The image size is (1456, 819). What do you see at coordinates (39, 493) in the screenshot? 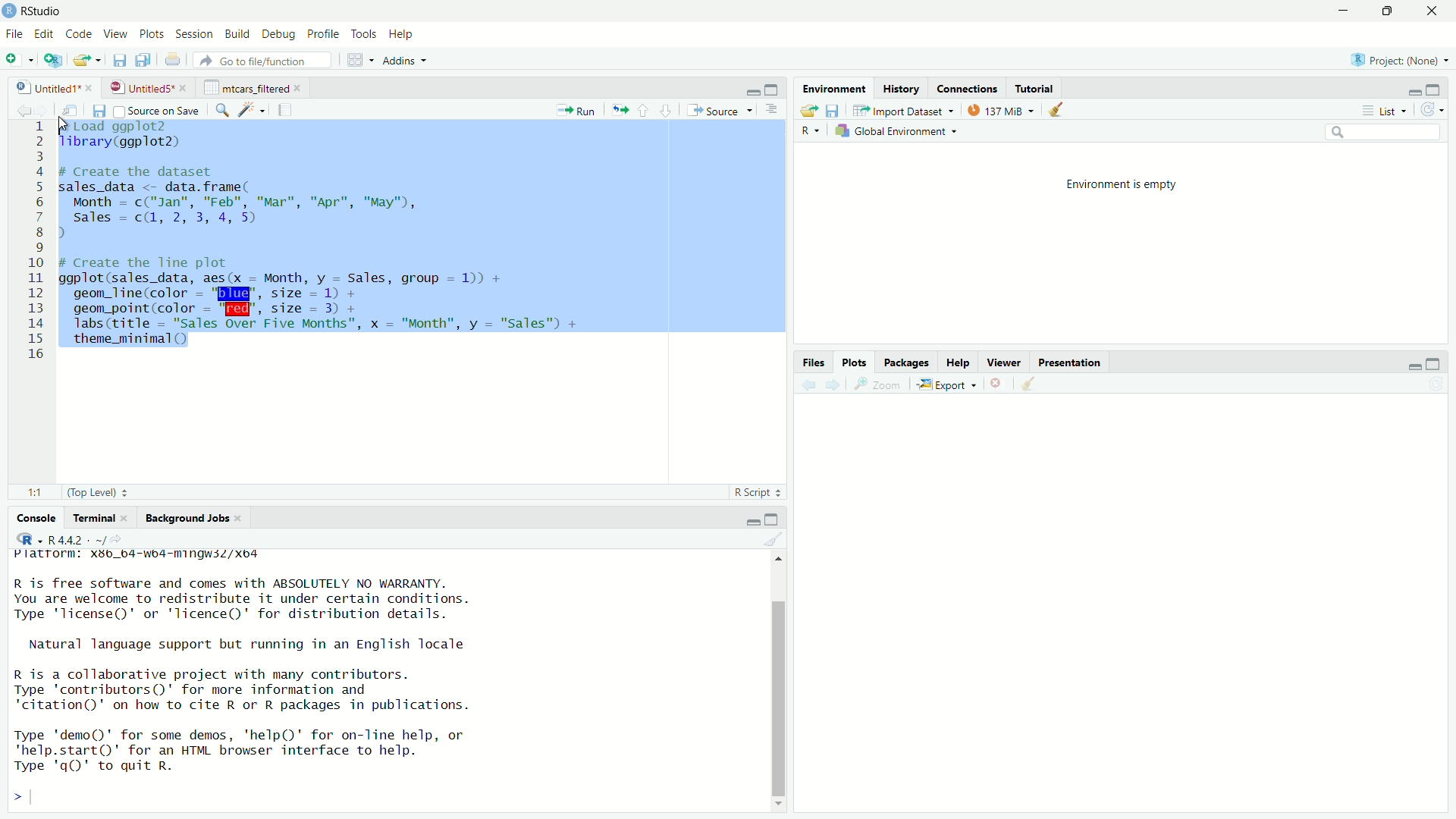
I see `15:18` at bounding box center [39, 493].